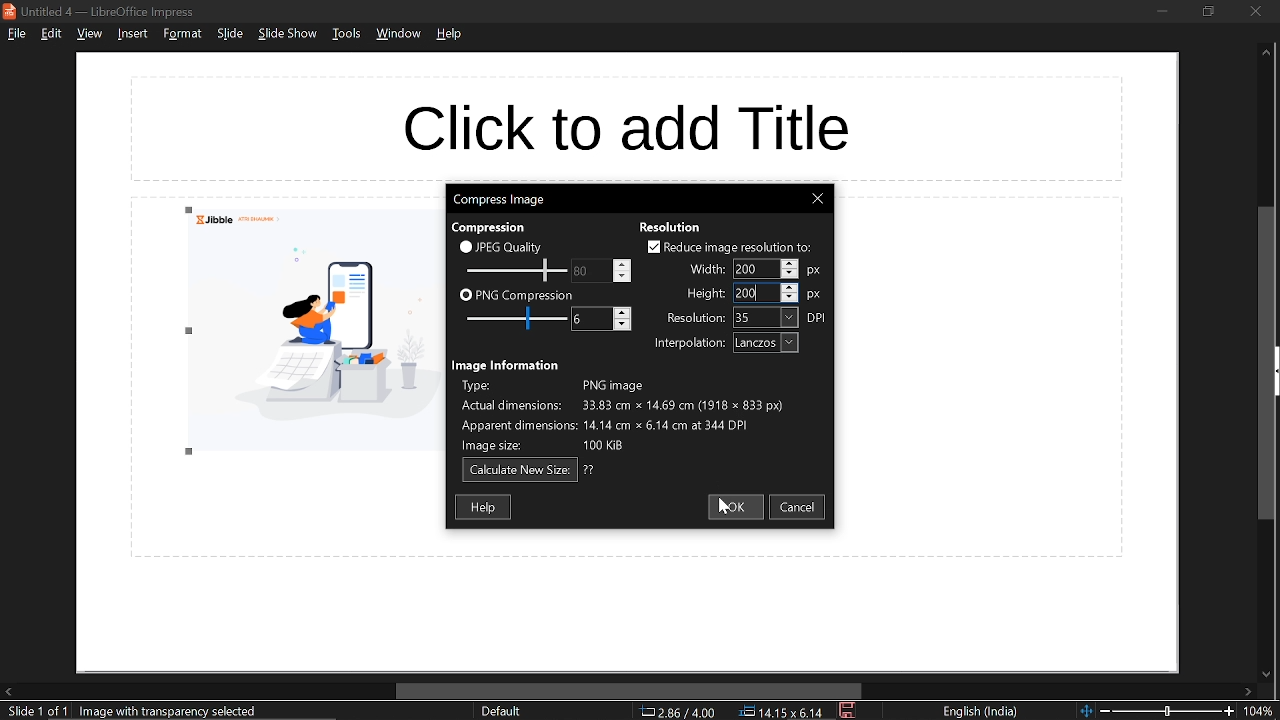 The width and height of the screenshot is (1280, 720). I want to click on position, so click(781, 712).